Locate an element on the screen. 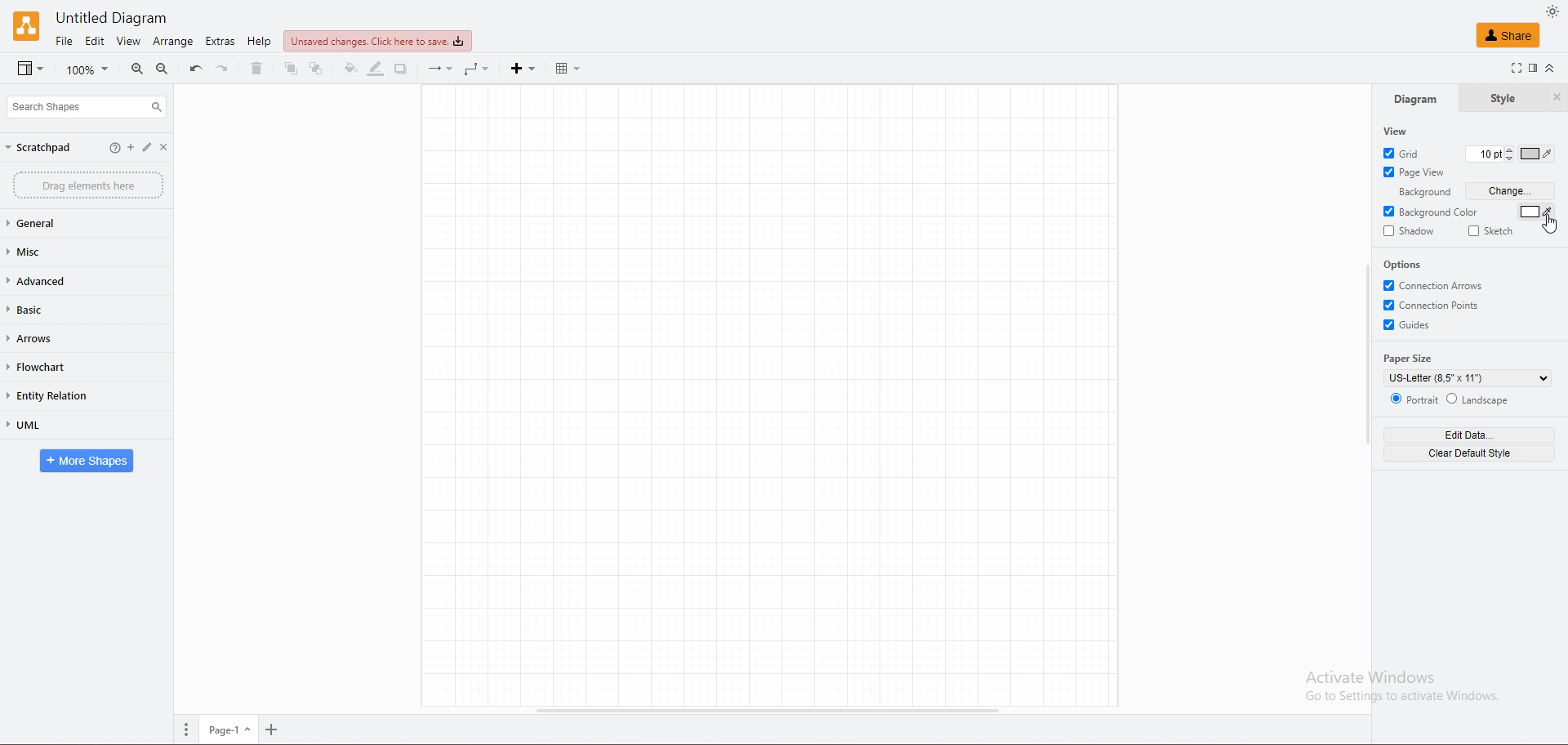 This screenshot has width=1568, height=745.  is located at coordinates (114, 148).